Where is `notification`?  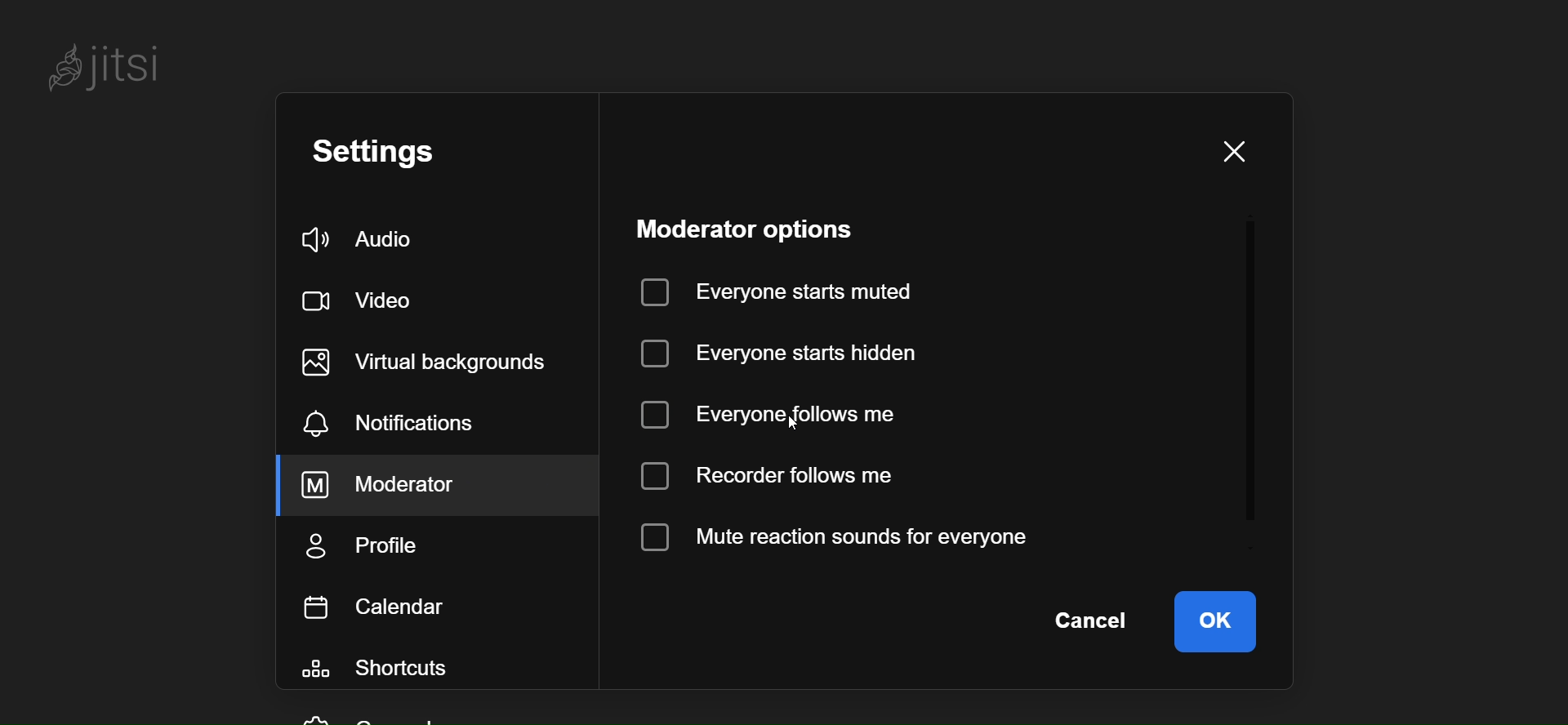 notification is located at coordinates (390, 426).